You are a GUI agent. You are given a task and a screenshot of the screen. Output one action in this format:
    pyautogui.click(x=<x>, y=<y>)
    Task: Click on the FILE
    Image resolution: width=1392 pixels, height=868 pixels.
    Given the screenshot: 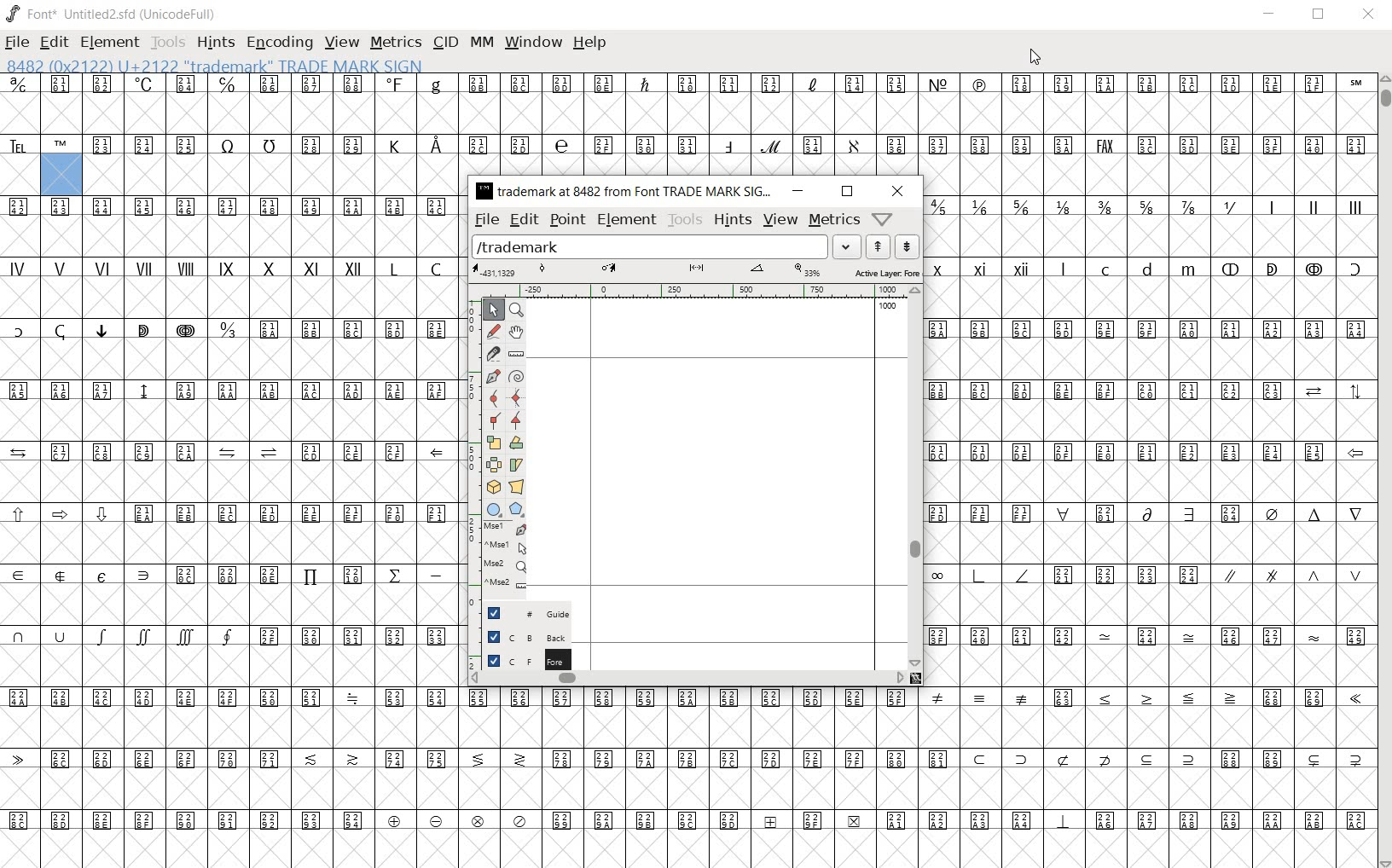 What is the action you would take?
    pyautogui.click(x=17, y=43)
    